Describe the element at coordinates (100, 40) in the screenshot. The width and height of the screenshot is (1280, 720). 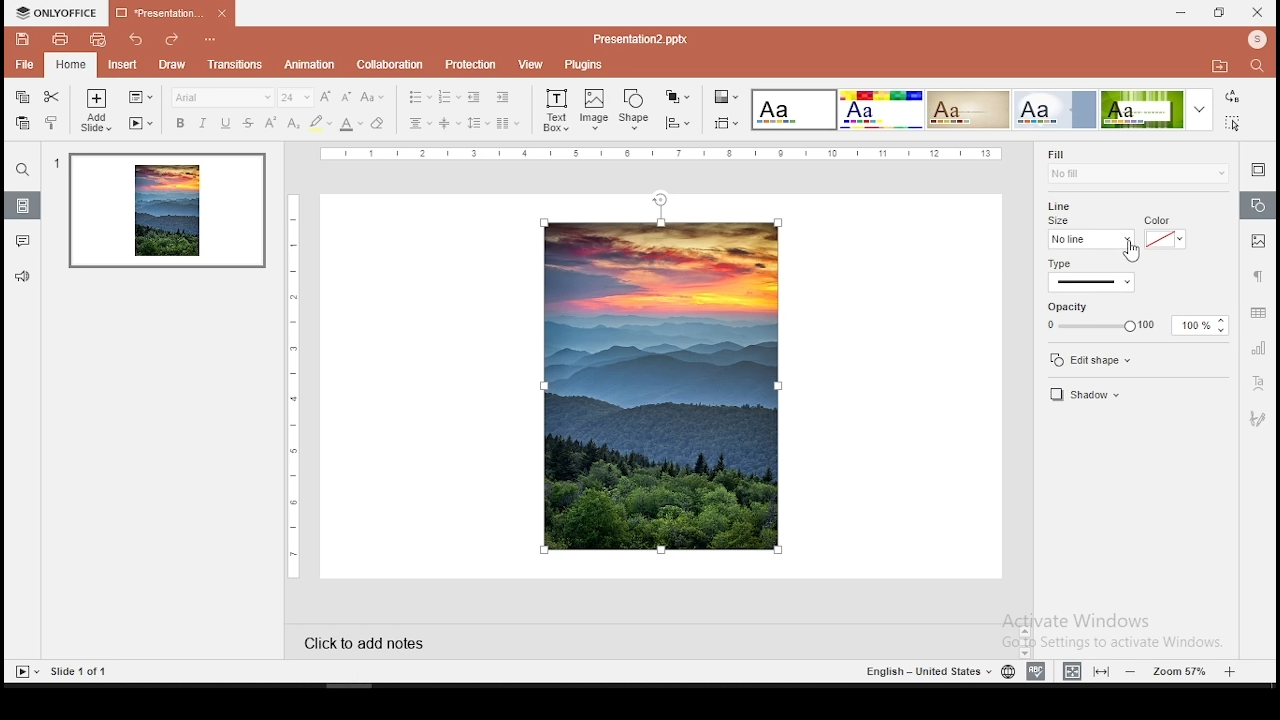
I see `quick print` at that location.